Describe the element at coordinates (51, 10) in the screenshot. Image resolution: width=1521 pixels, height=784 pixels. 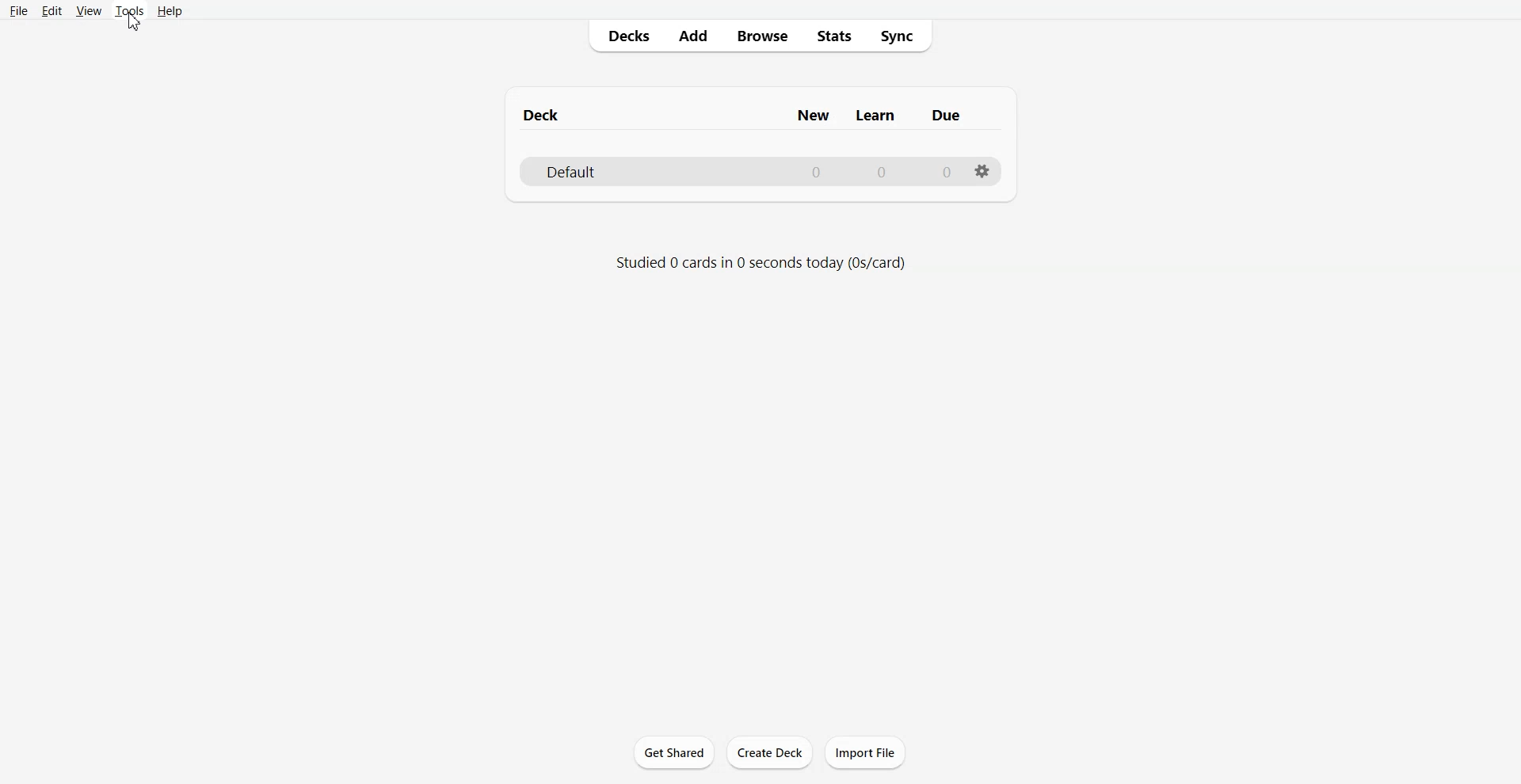
I see `Edit` at that location.